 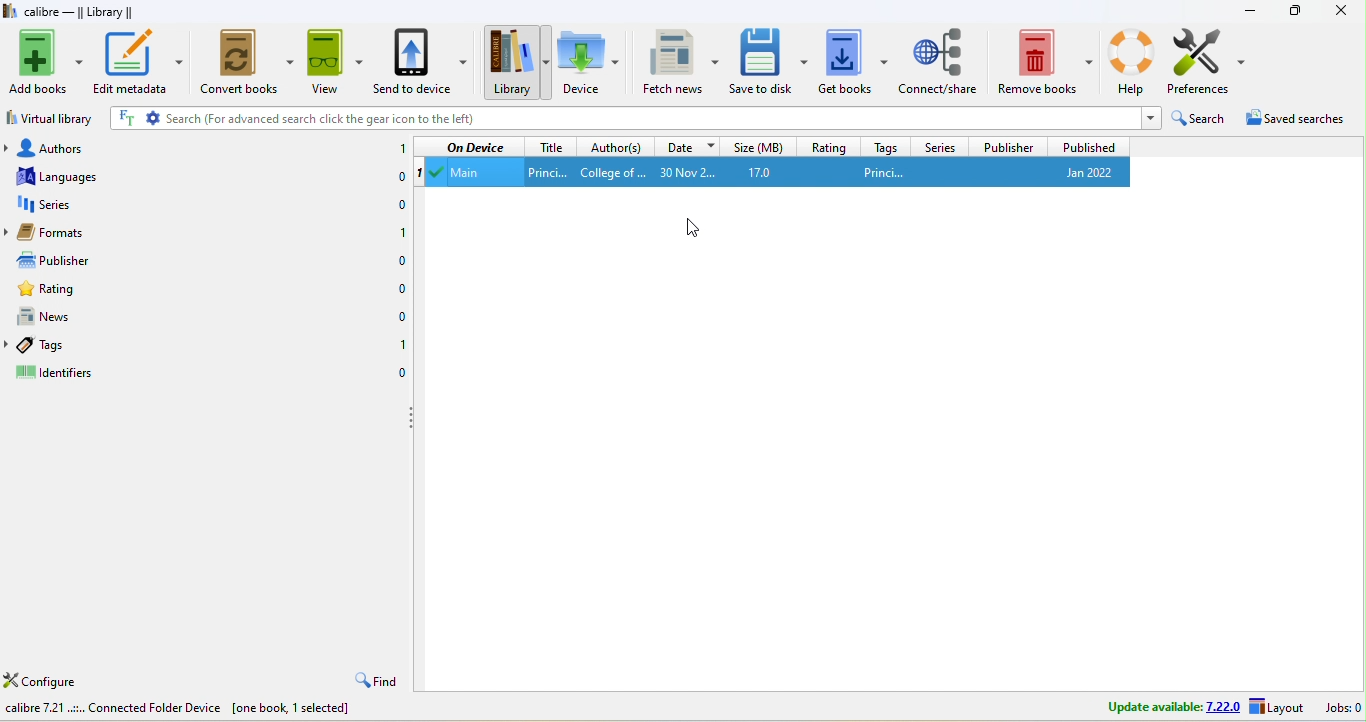 I want to click on close, so click(x=1340, y=11).